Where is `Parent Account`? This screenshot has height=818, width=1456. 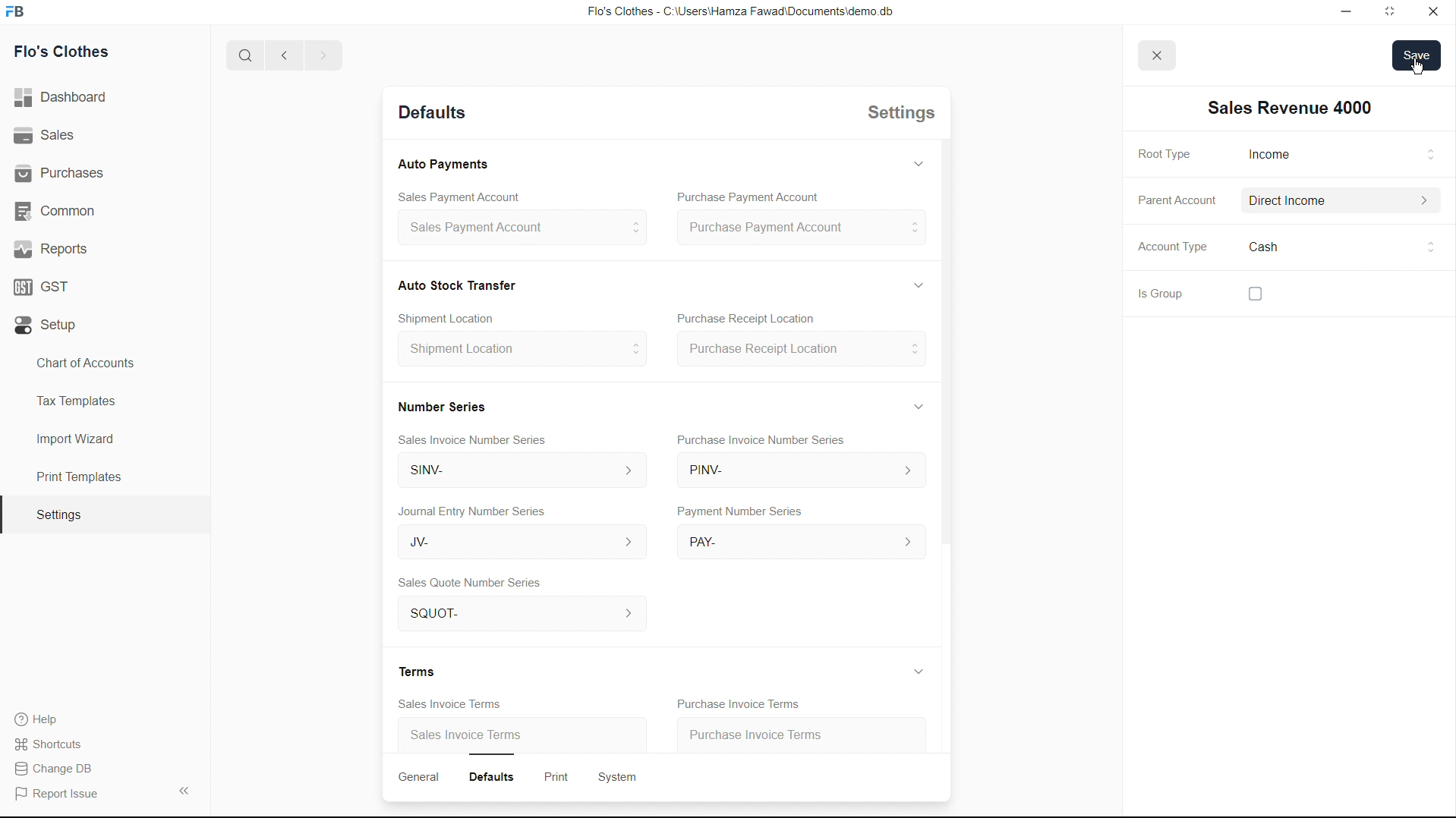
Parent Account is located at coordinates (1304, 202).